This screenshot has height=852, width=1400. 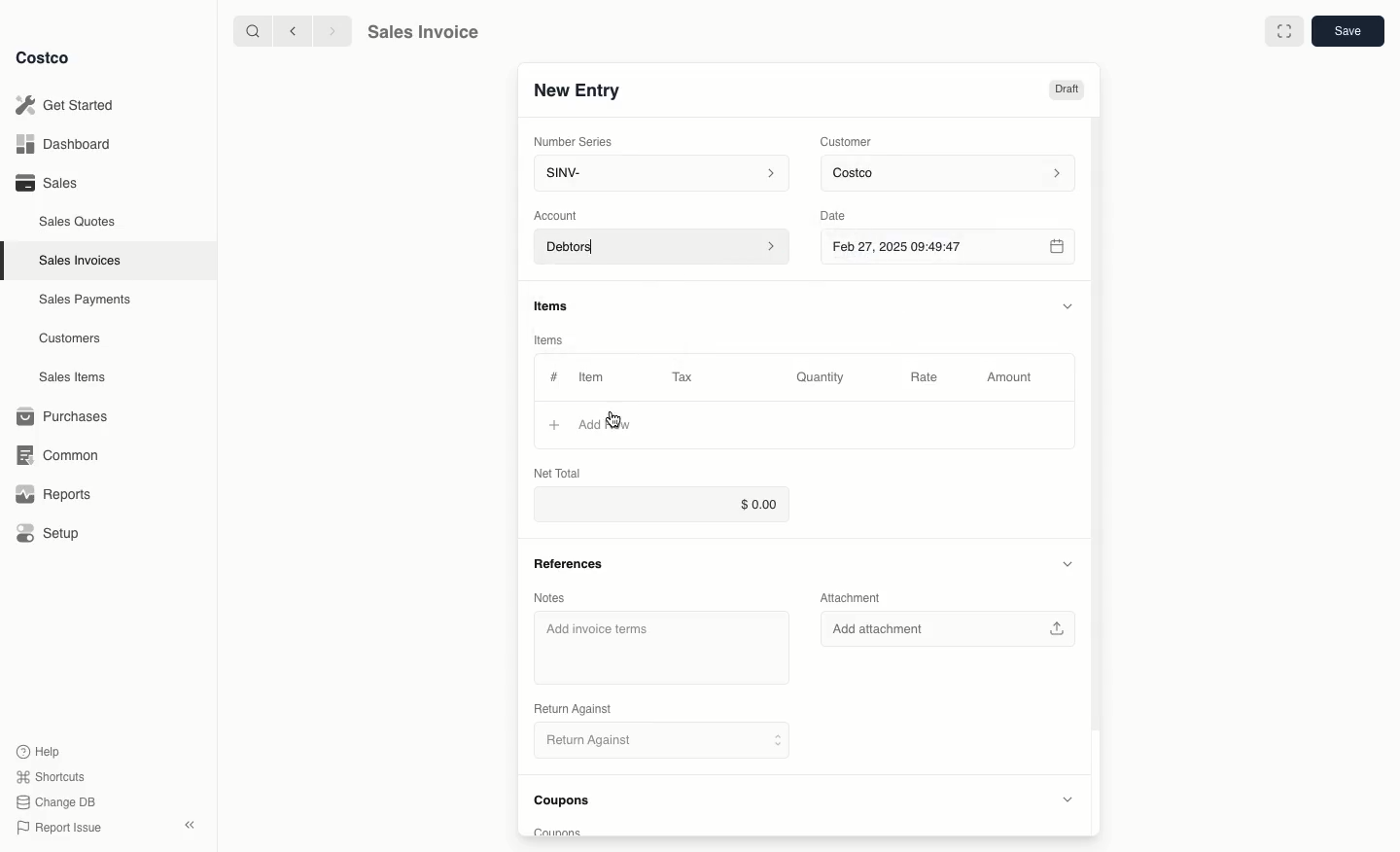 I want to click on Save, so click(x=1347, y=32).